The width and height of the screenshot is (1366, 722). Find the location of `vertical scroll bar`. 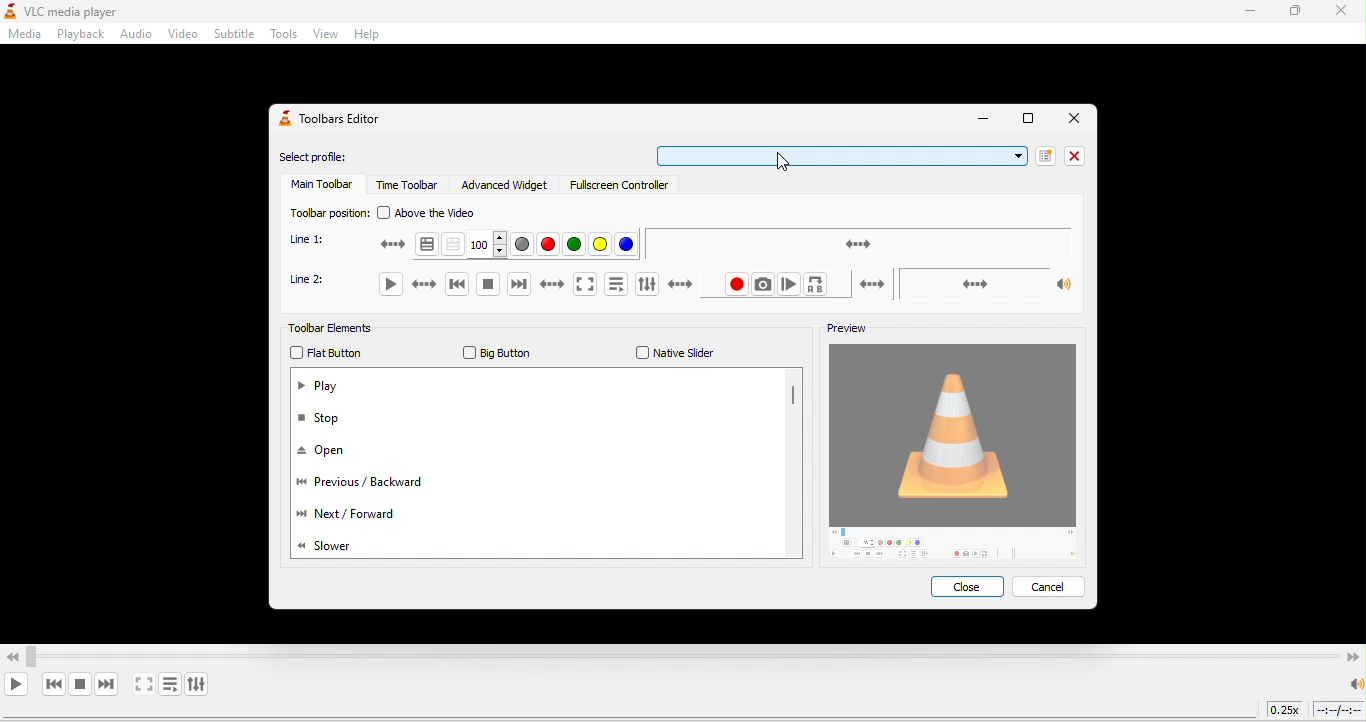

vertical scroll bar is located at coordinates (794, 400).